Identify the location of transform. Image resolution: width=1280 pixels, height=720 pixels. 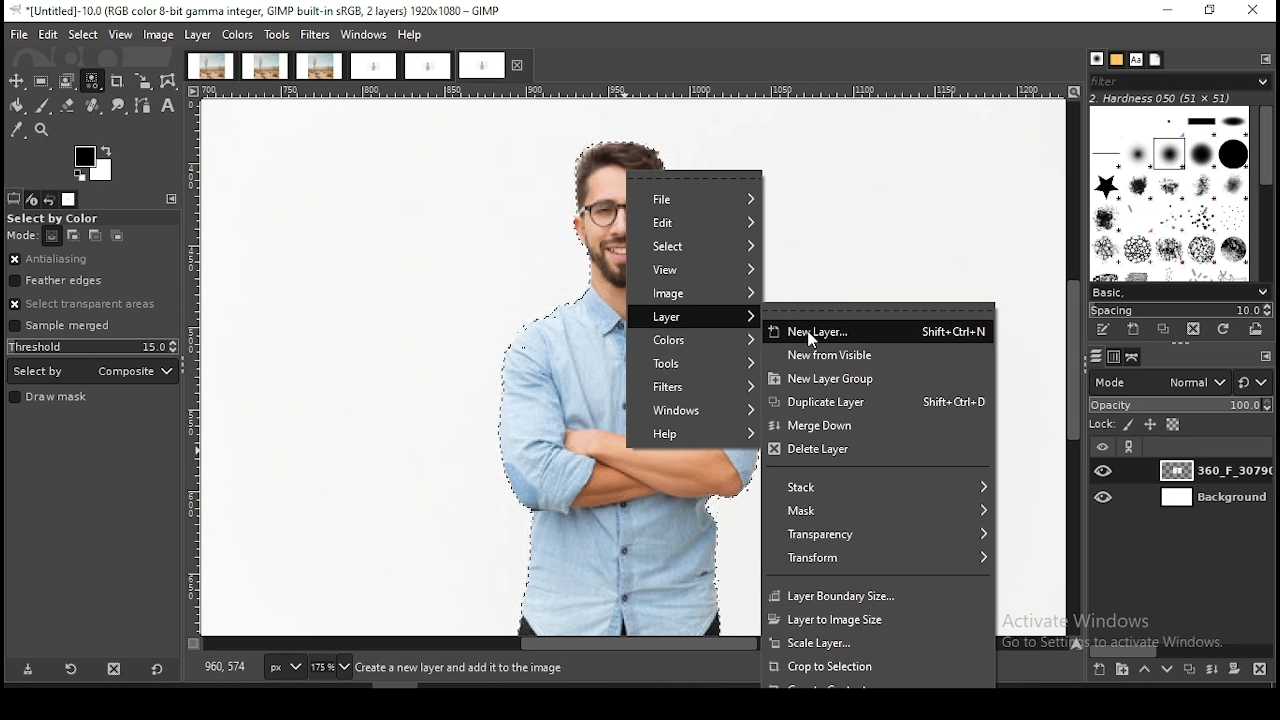
(877, 559).